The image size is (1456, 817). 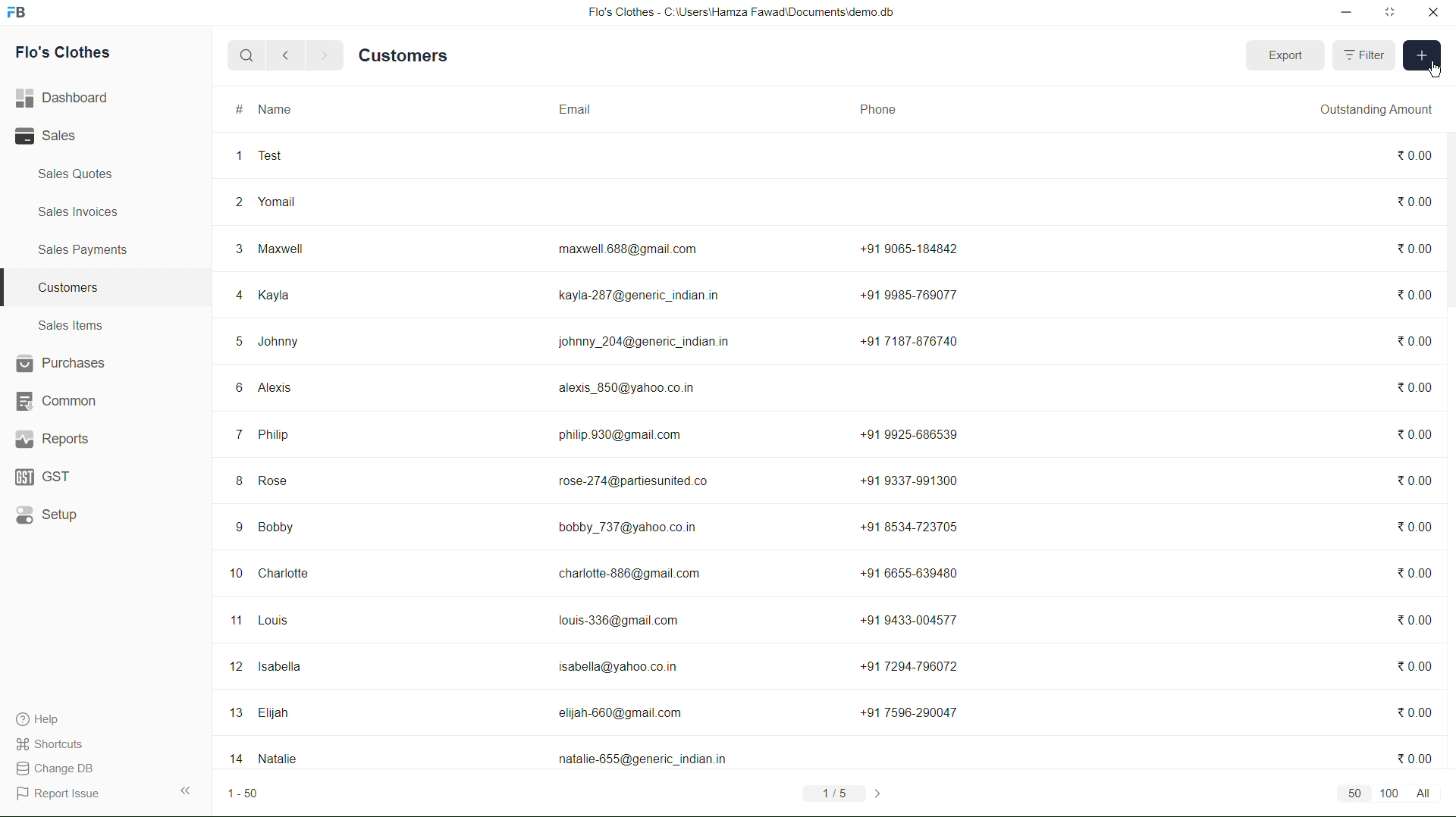 What do you see at coordinates (86, 251) in the screenshot?
I see `Sales Payments` at bounding box center [86, 251].